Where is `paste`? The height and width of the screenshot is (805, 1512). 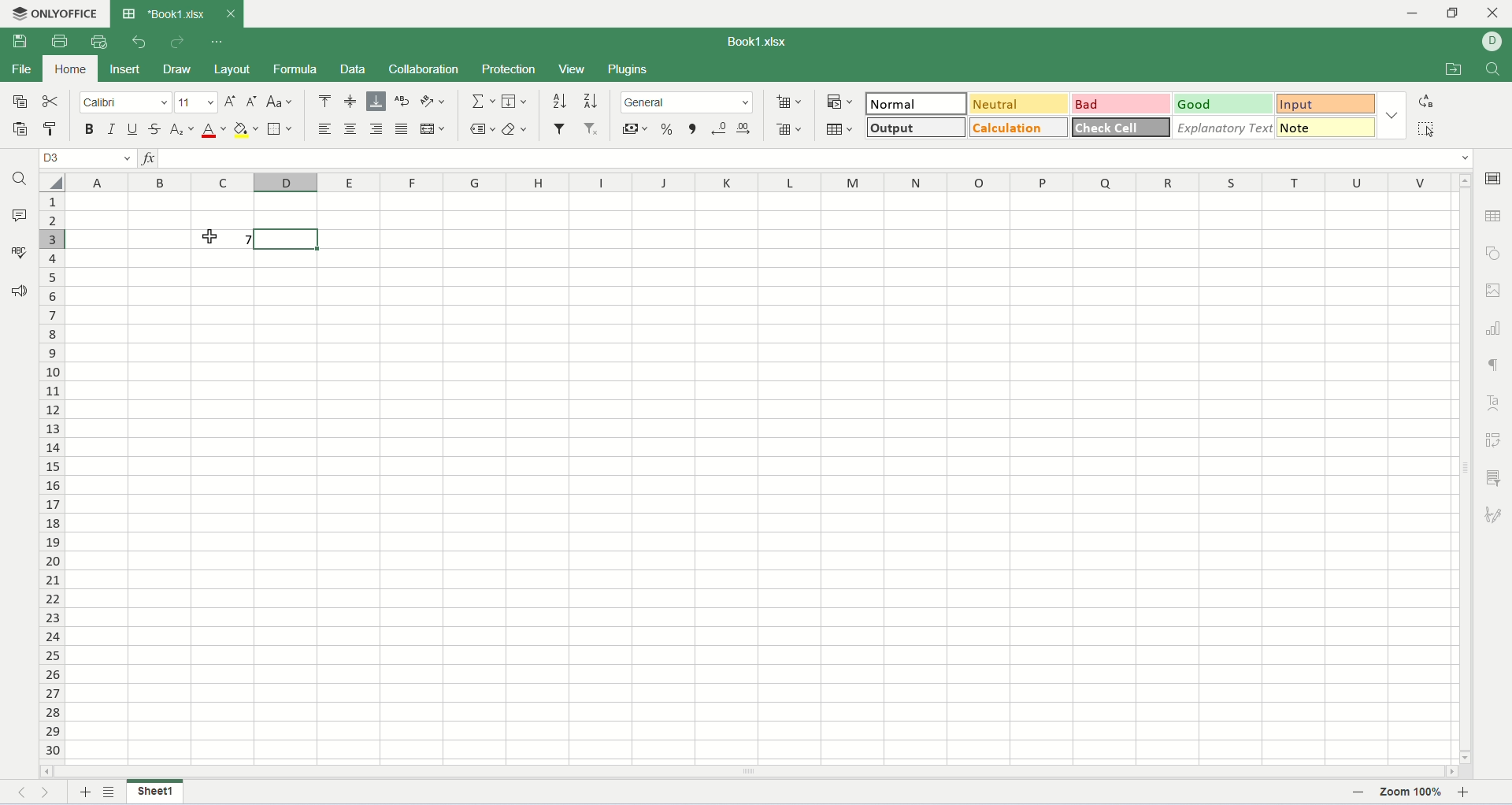 paste is located at coordinates (18, 130).